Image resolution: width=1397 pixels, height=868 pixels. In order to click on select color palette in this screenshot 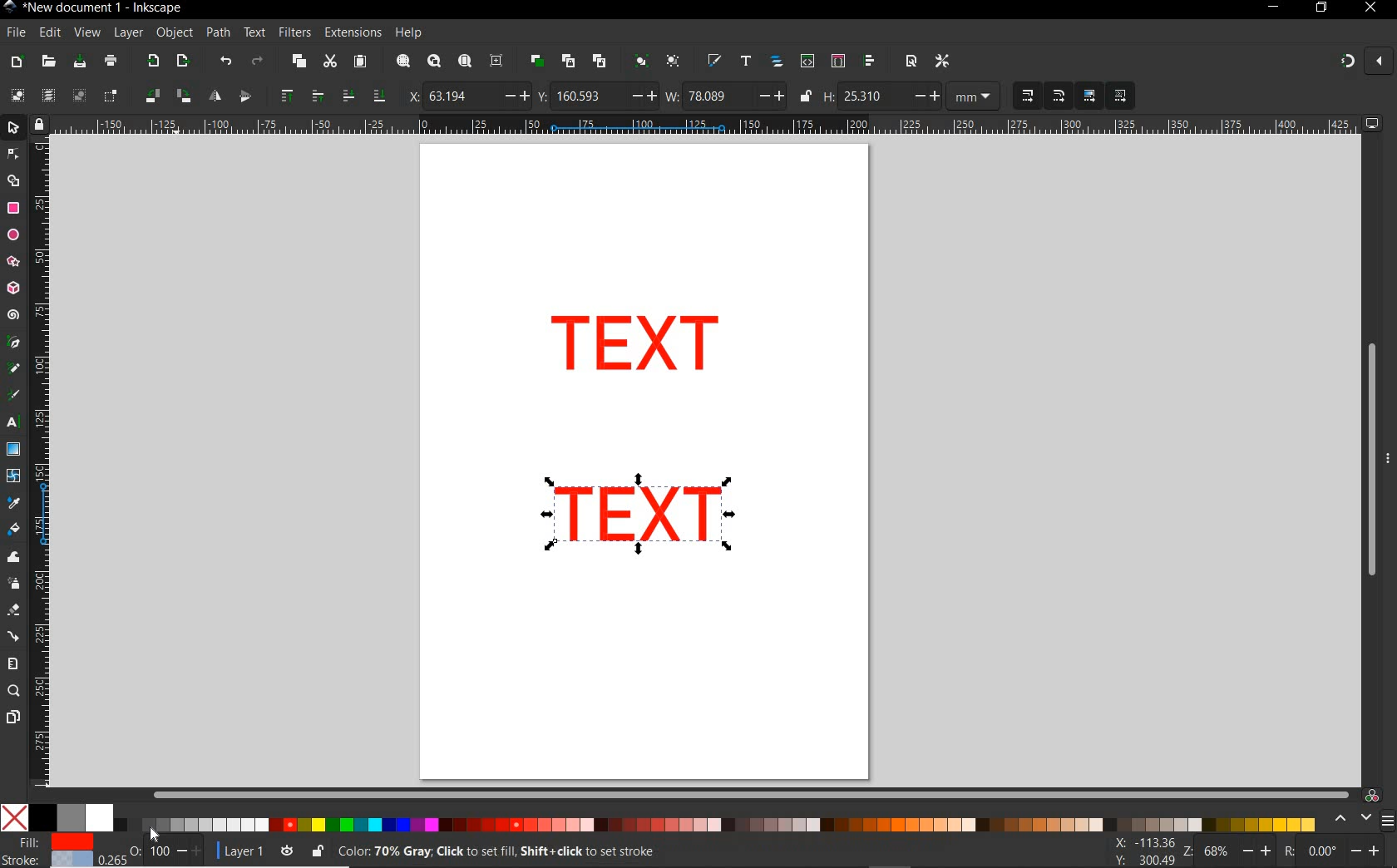, I will do `click(1361, 819)`.